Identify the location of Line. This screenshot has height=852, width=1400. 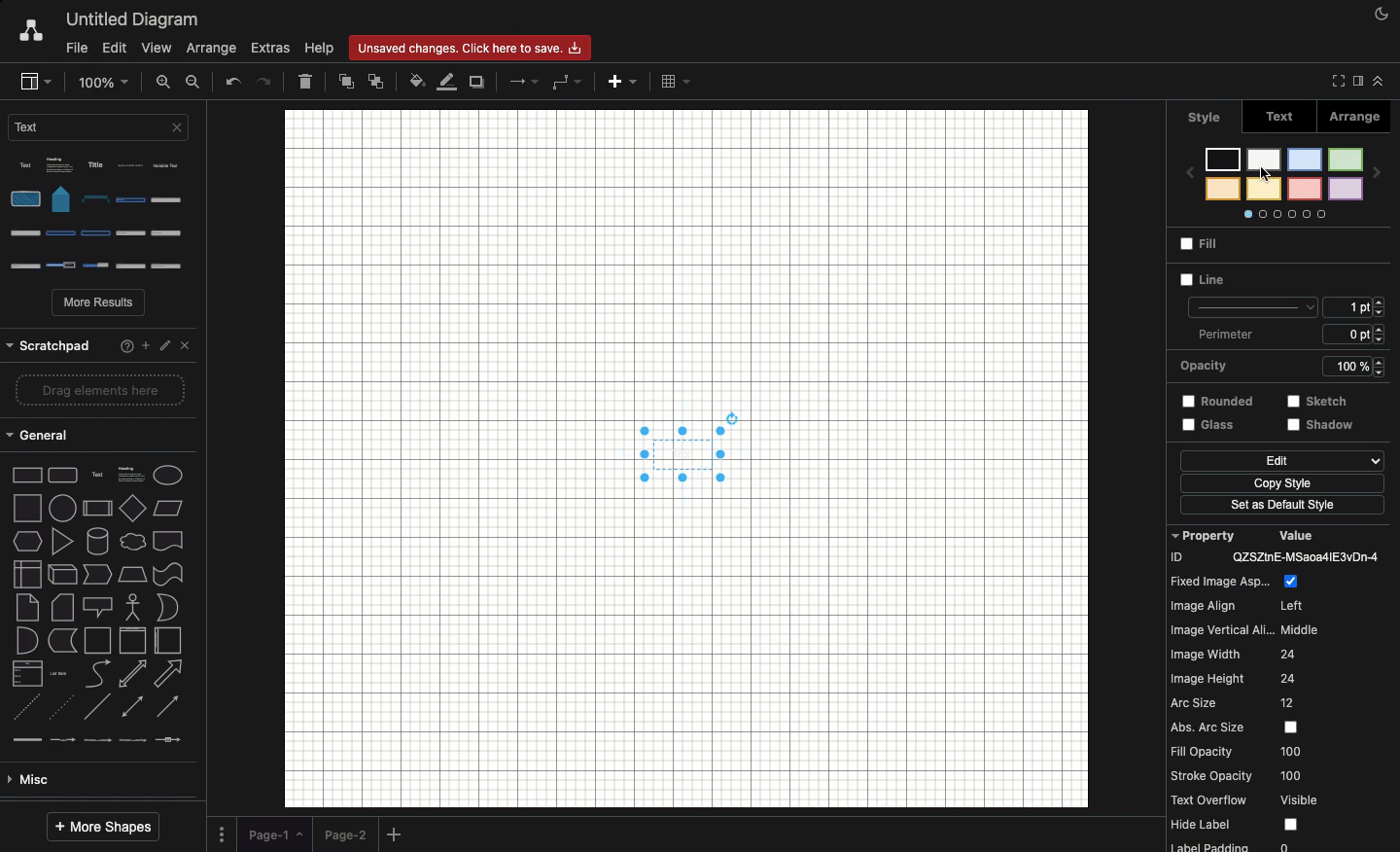
(1242, 294).